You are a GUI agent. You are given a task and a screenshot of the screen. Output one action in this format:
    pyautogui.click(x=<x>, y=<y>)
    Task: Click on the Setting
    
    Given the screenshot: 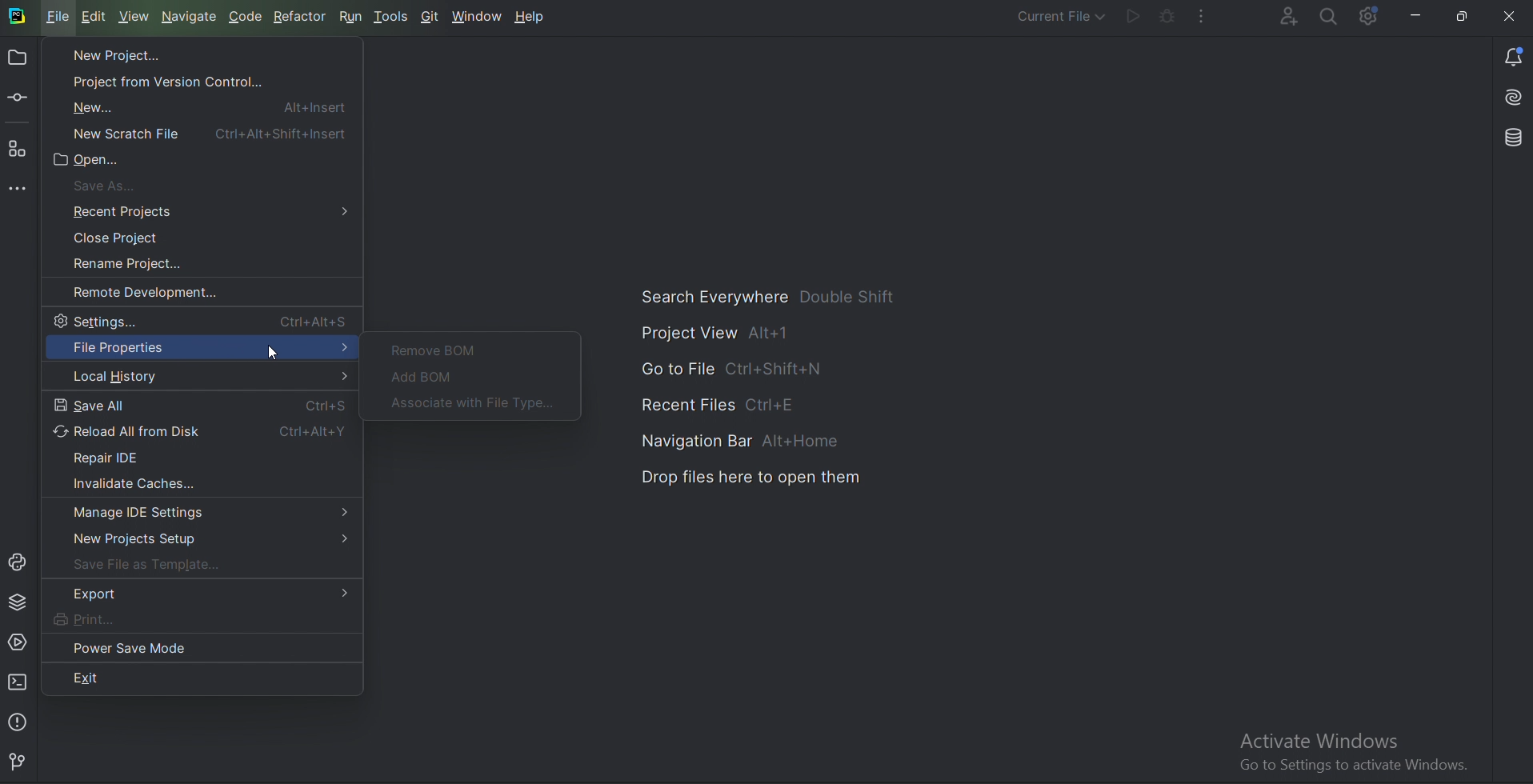 What is the action you would take?
    pyautogui.click(x=1371, y=15)
    